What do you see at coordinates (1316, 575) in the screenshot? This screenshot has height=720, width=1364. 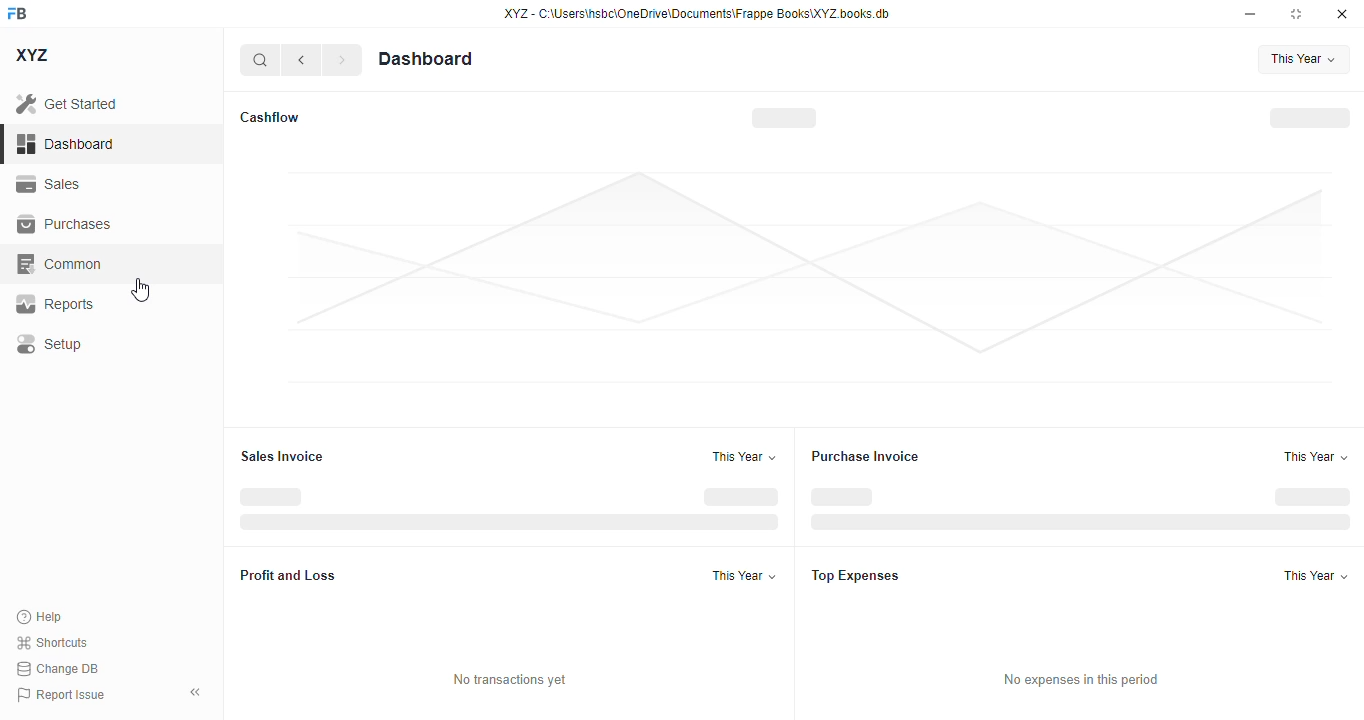 I see `this year` at bounding box center [1316, 575].